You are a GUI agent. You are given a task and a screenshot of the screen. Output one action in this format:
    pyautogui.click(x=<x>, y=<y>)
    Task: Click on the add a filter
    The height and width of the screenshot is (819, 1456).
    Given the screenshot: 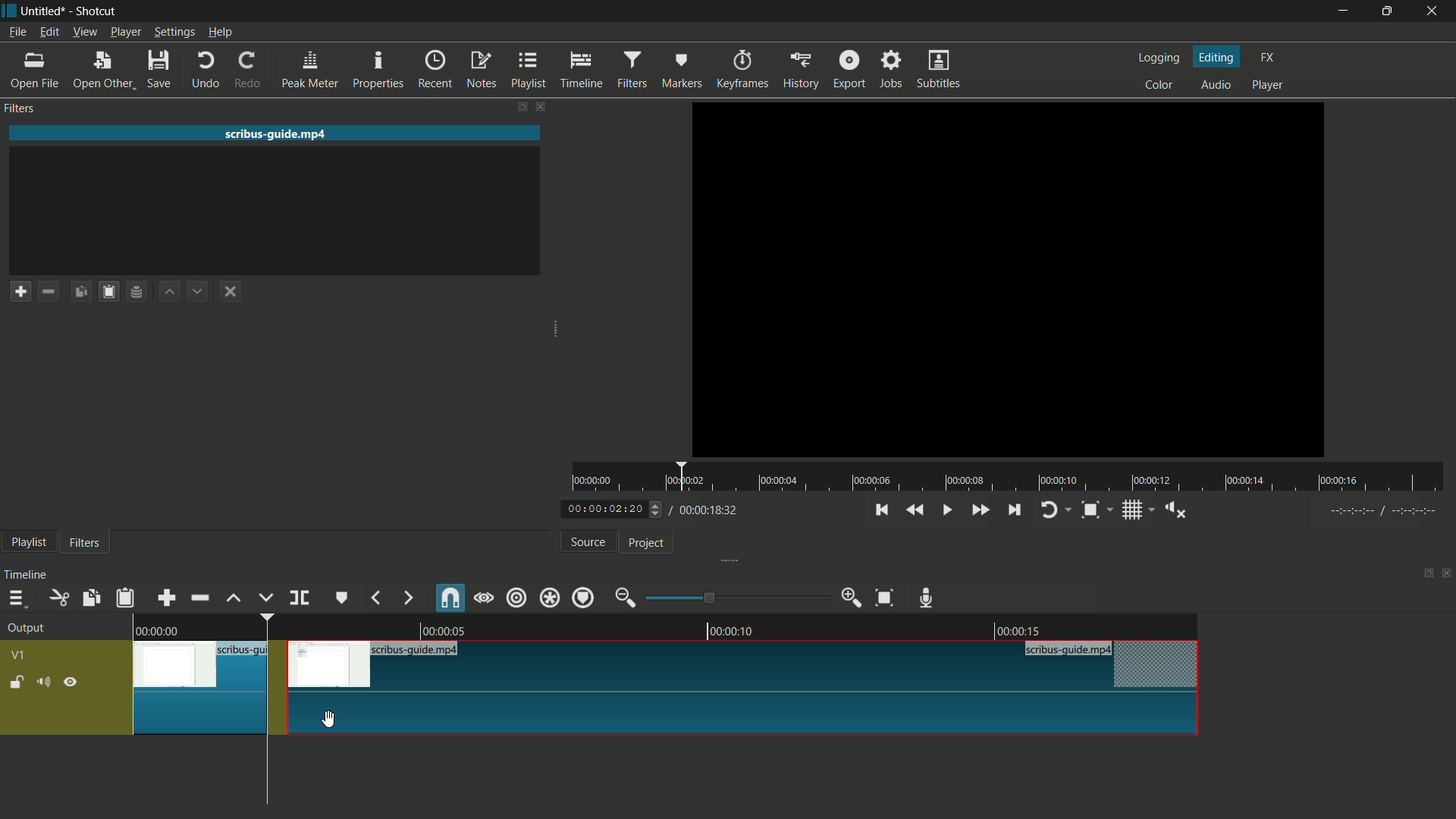 What is the action you would take?
    pyautogui.click(x=20, y=291)
    